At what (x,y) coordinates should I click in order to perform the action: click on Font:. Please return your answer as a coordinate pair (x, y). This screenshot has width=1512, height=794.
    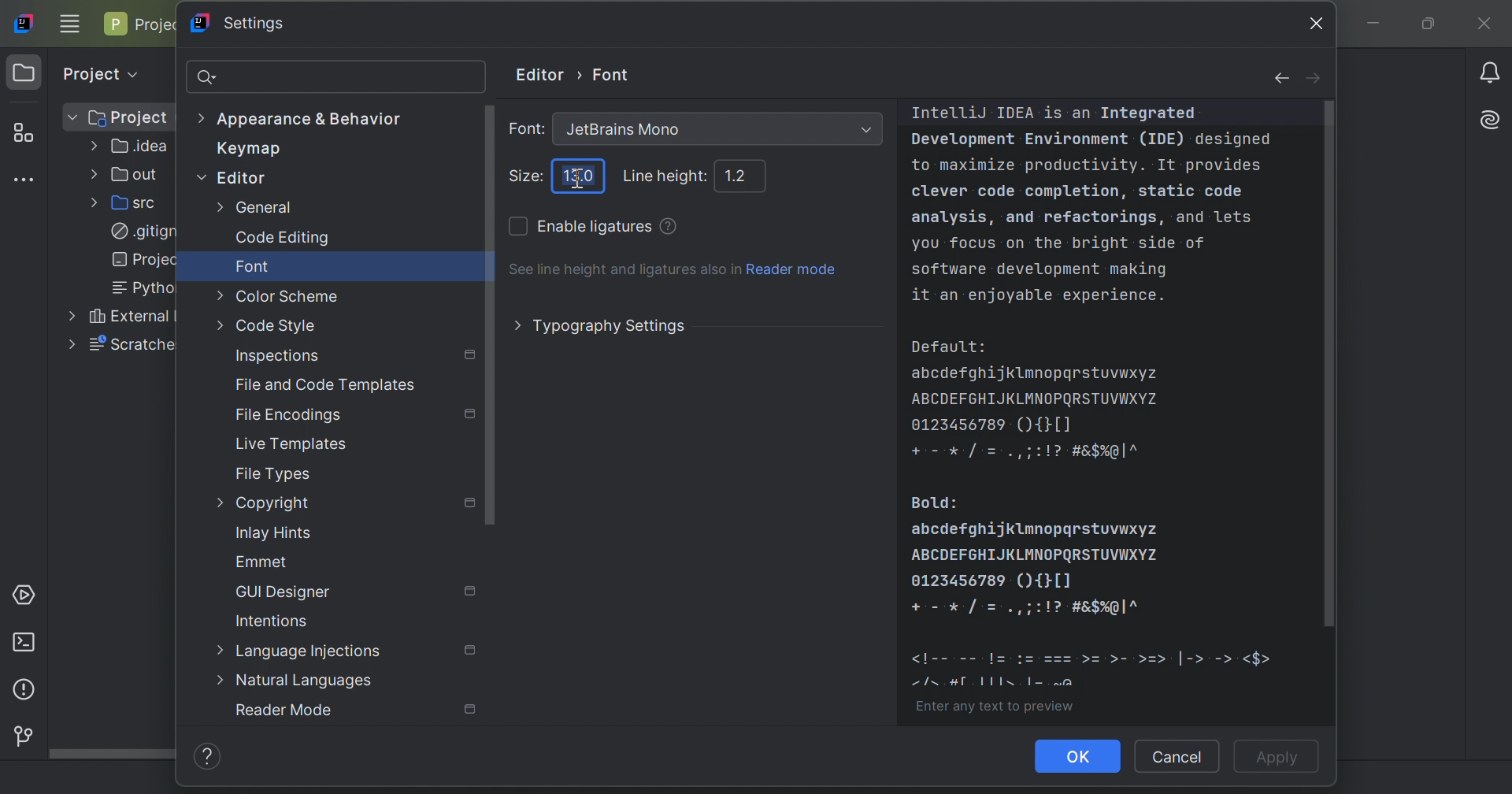
    Looking at the image, I should click on (525, 128).